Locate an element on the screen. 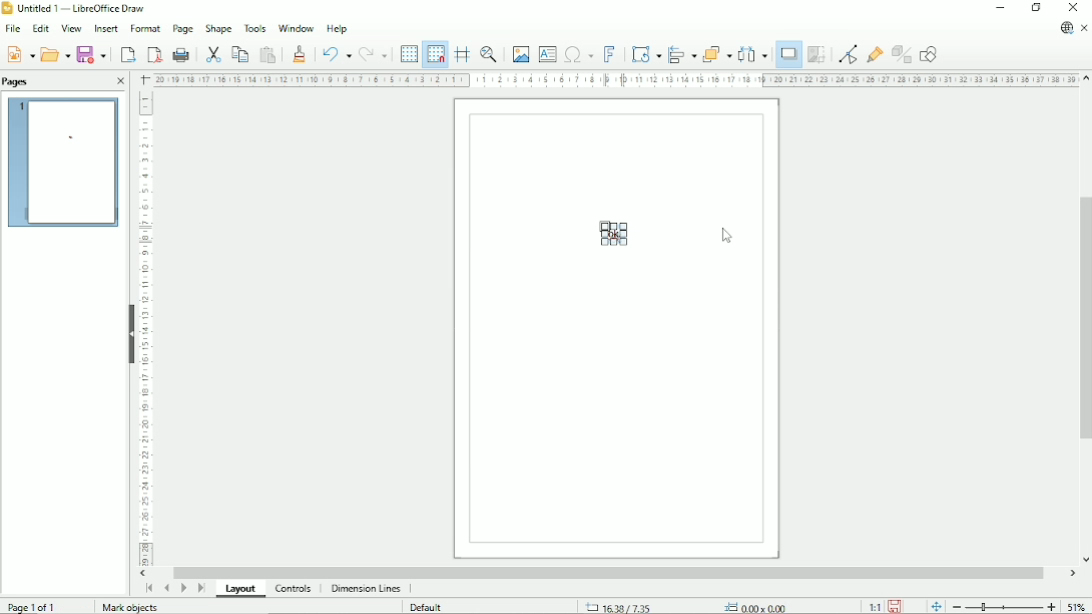  Snap to grid is located at coordinates (435, 54).